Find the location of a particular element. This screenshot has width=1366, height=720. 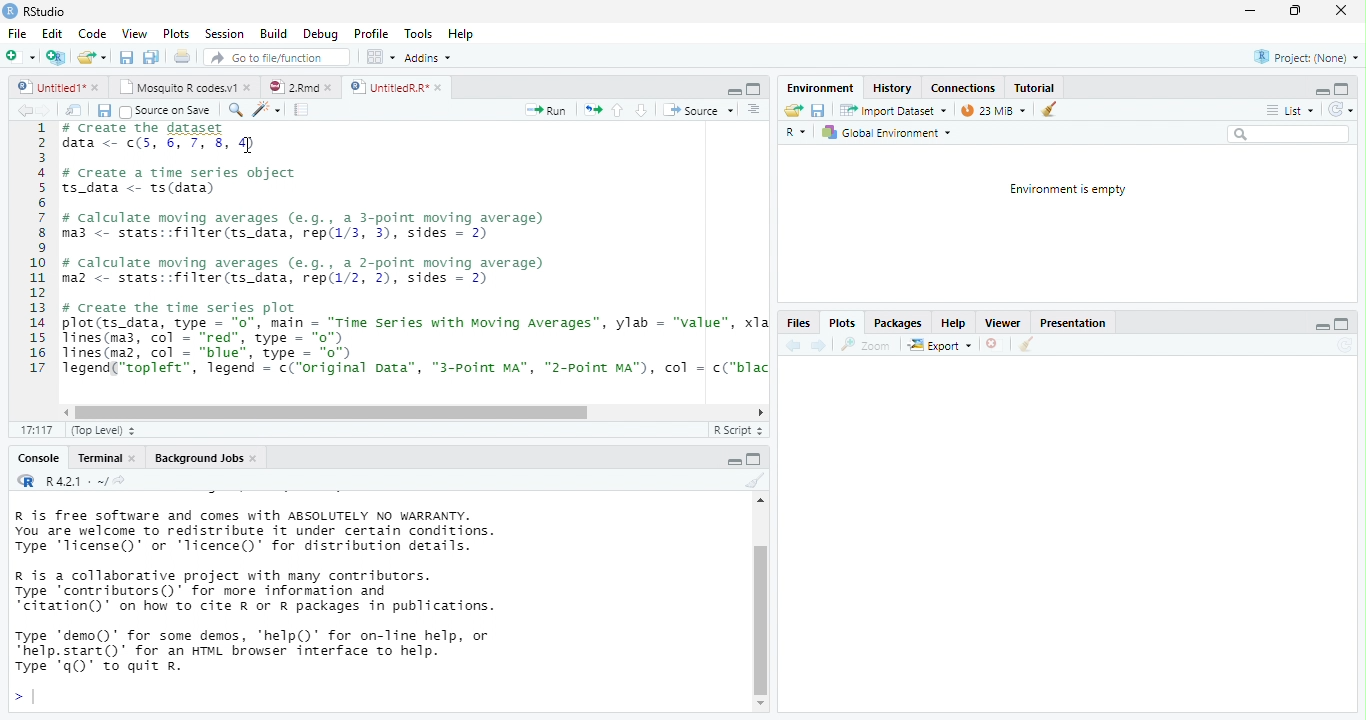

show in window is located at coordinates (75, 110).